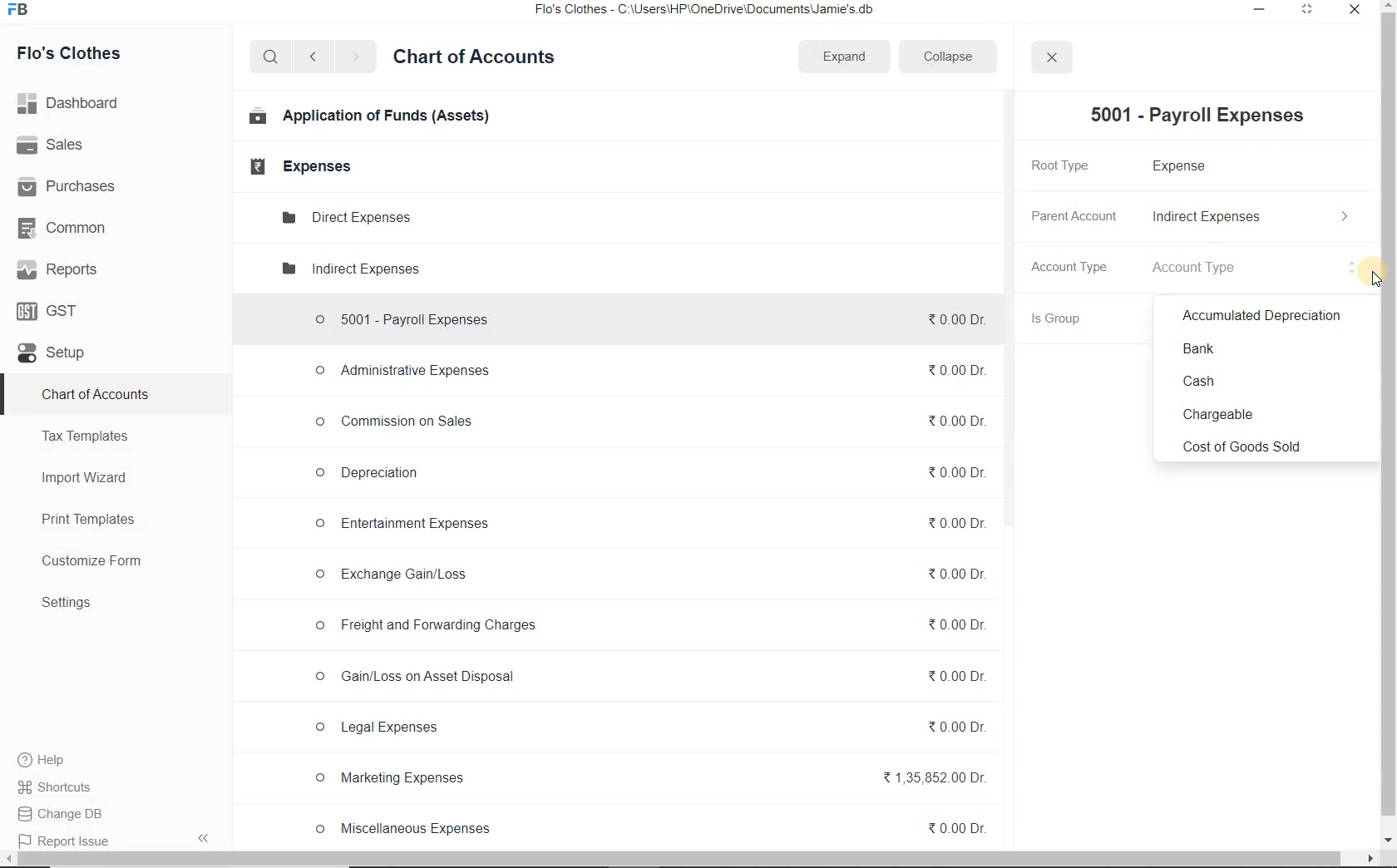 The image size is (1397, 868). What do you see at coordinates (644, 371) in the screenshot?
I see `© Administrative Expenses %0.00Dr.` at bounding box center [644, 371].